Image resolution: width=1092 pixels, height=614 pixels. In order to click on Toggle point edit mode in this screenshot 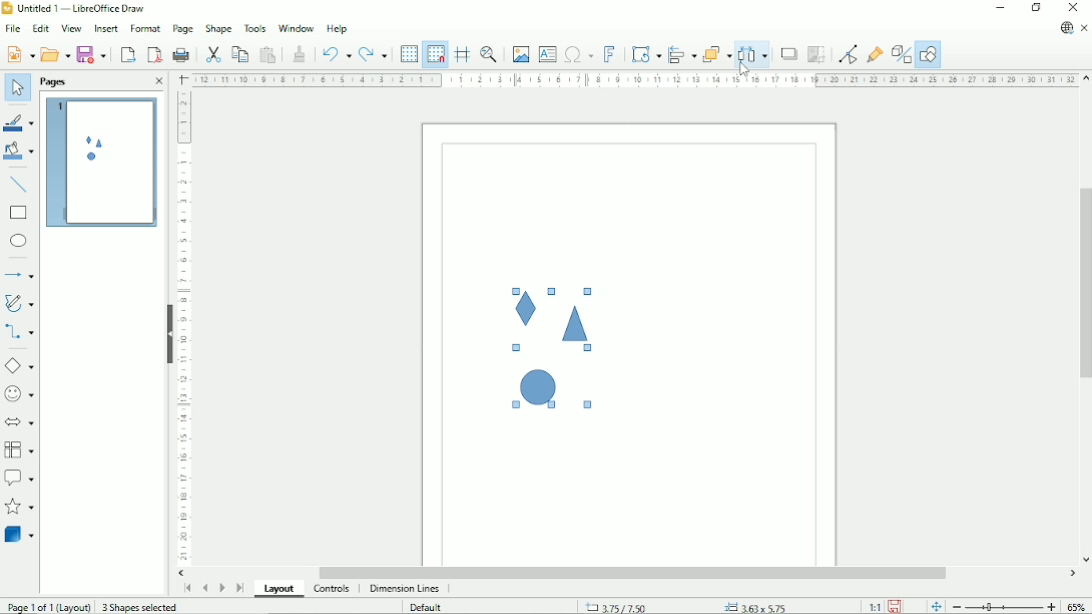, I will do `click(847, 54)`.